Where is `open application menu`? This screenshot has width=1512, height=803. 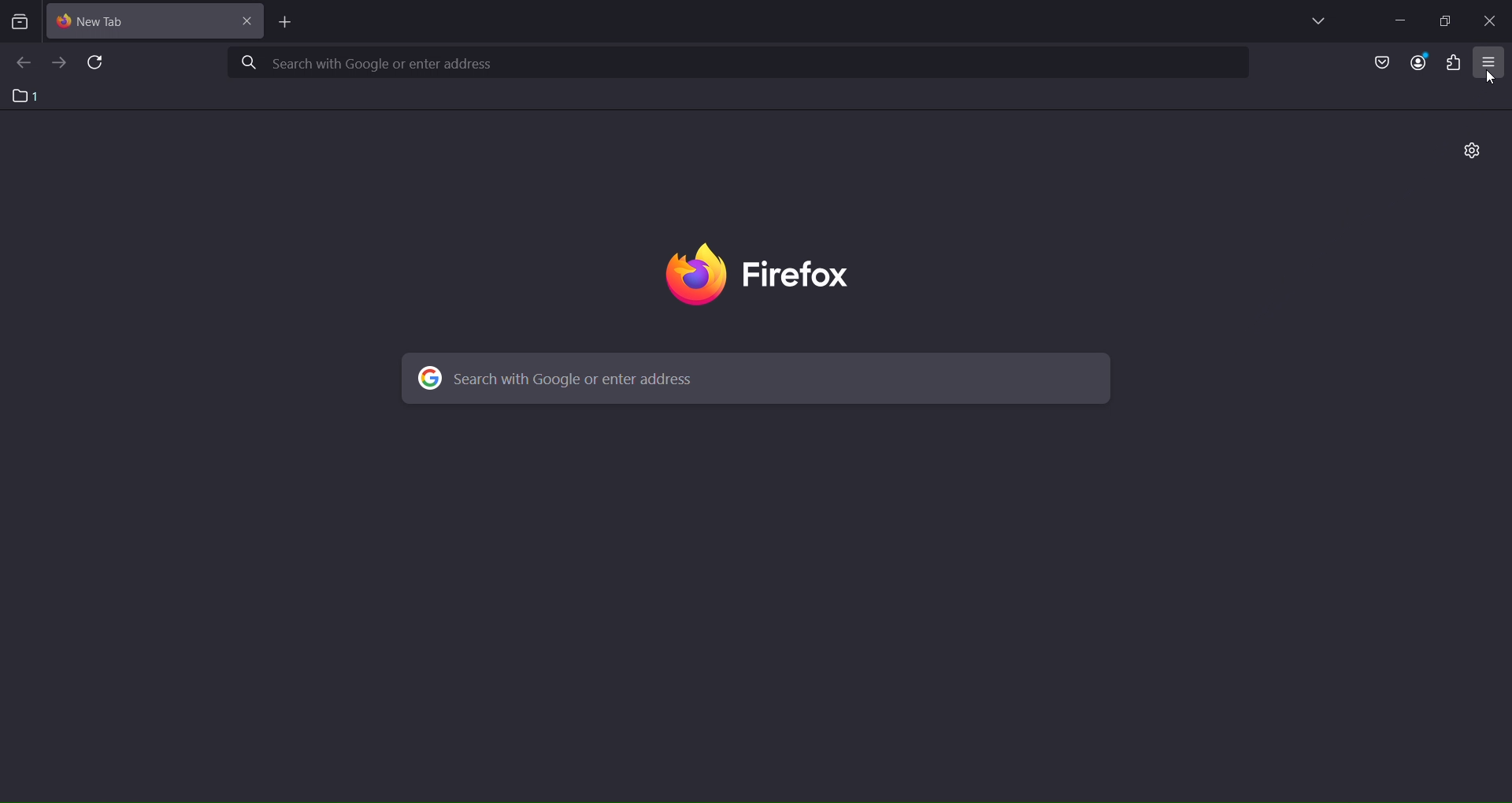 open application menu is located at coordinates (1492, 63).